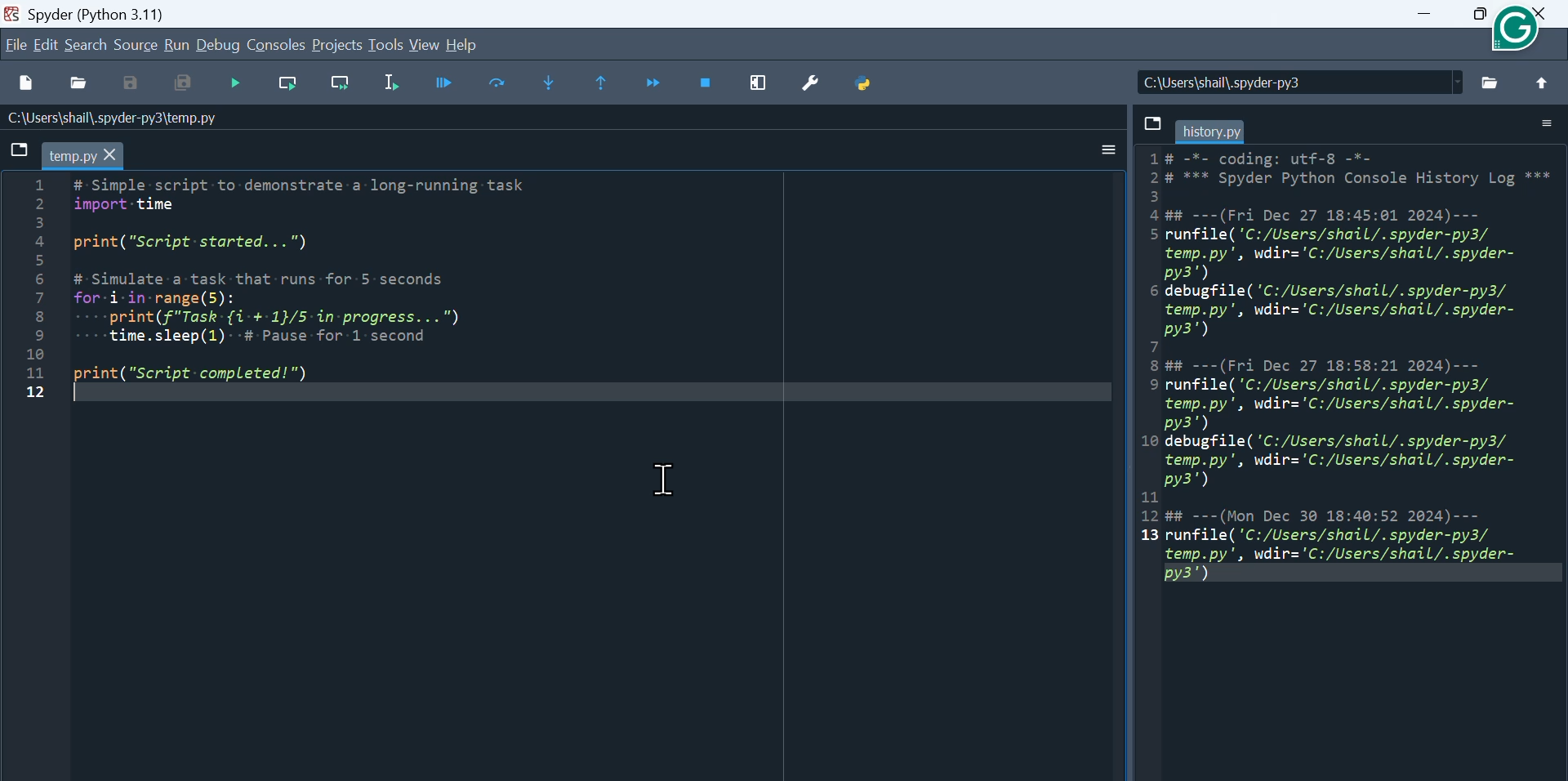  I want to click on Minimize, so click(1427, 15).